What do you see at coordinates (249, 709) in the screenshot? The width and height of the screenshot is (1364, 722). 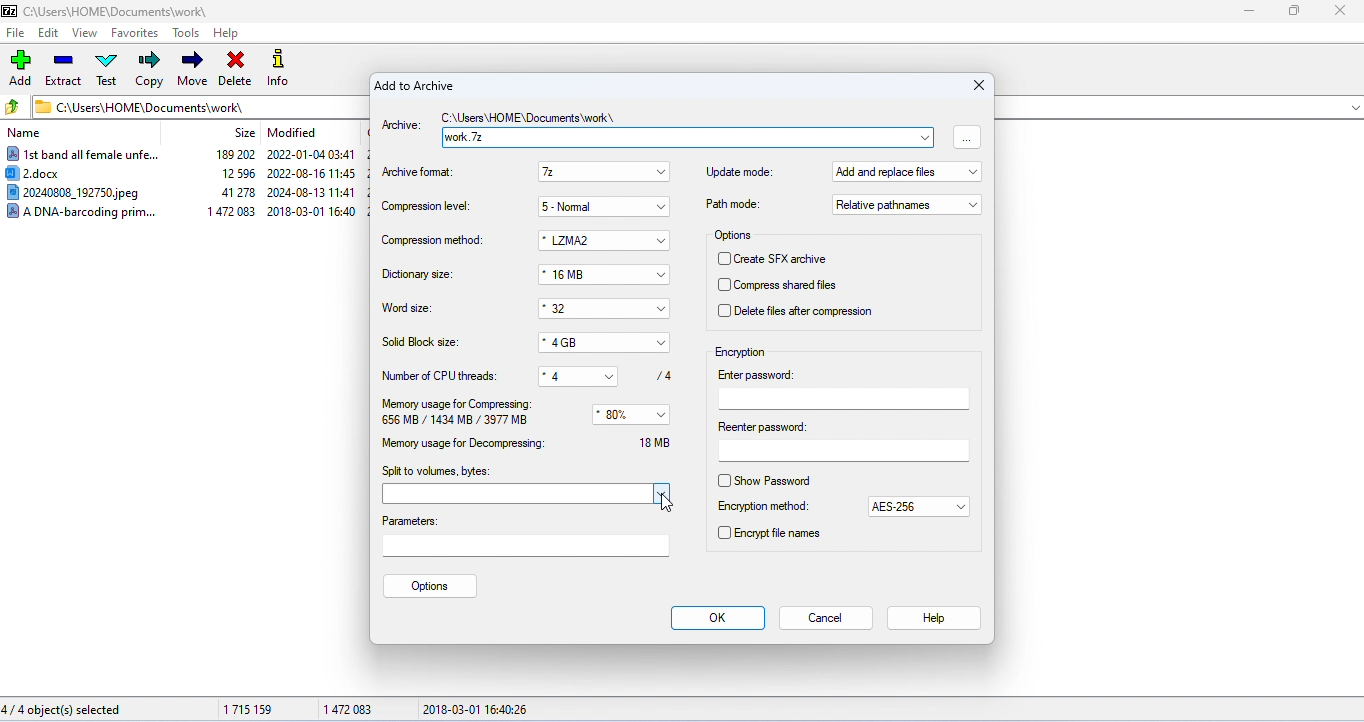 I see `1715159` at bounding box center [249, 709].